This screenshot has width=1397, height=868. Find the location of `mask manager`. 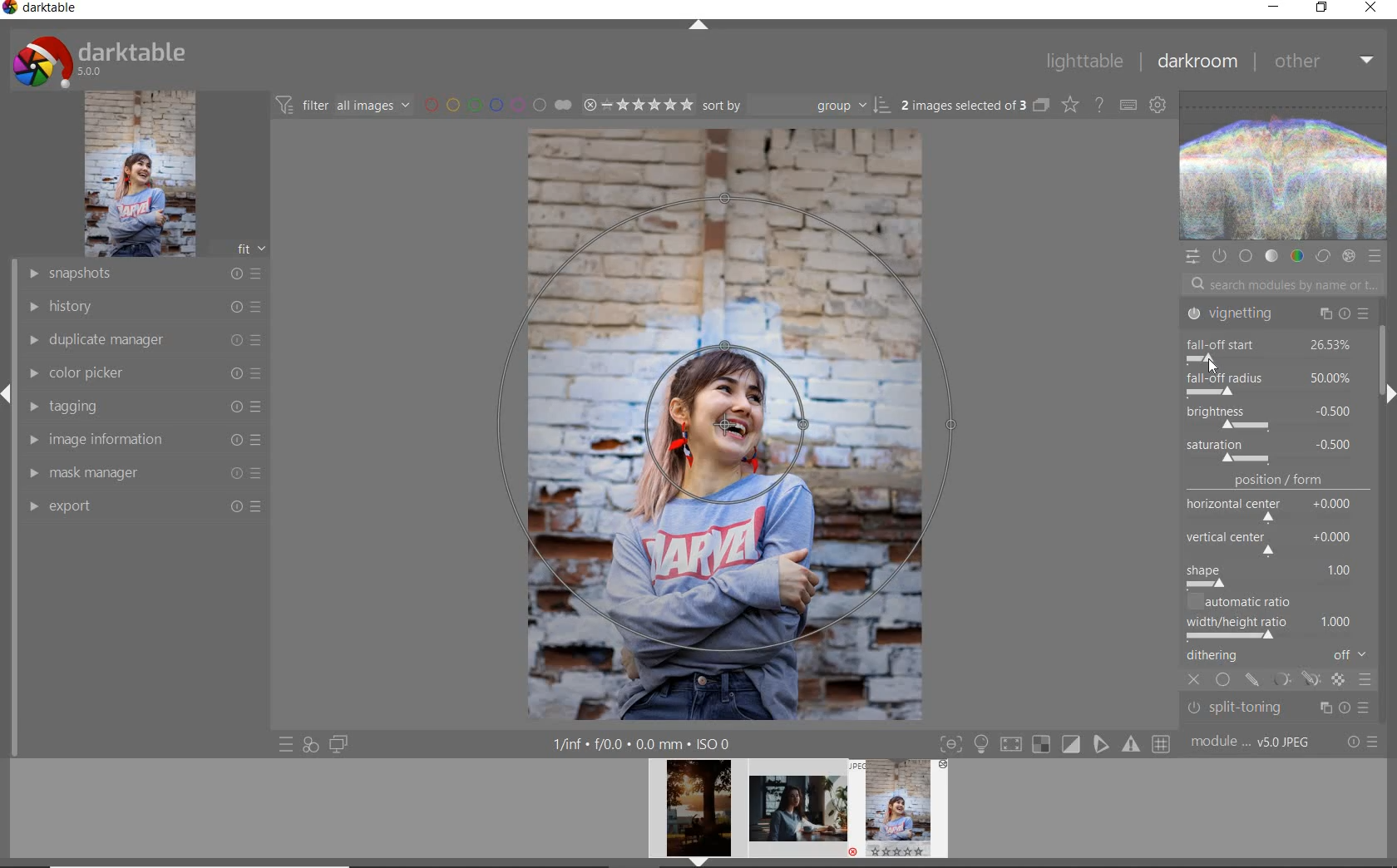

mask manager is located at coordinates (144, 471).